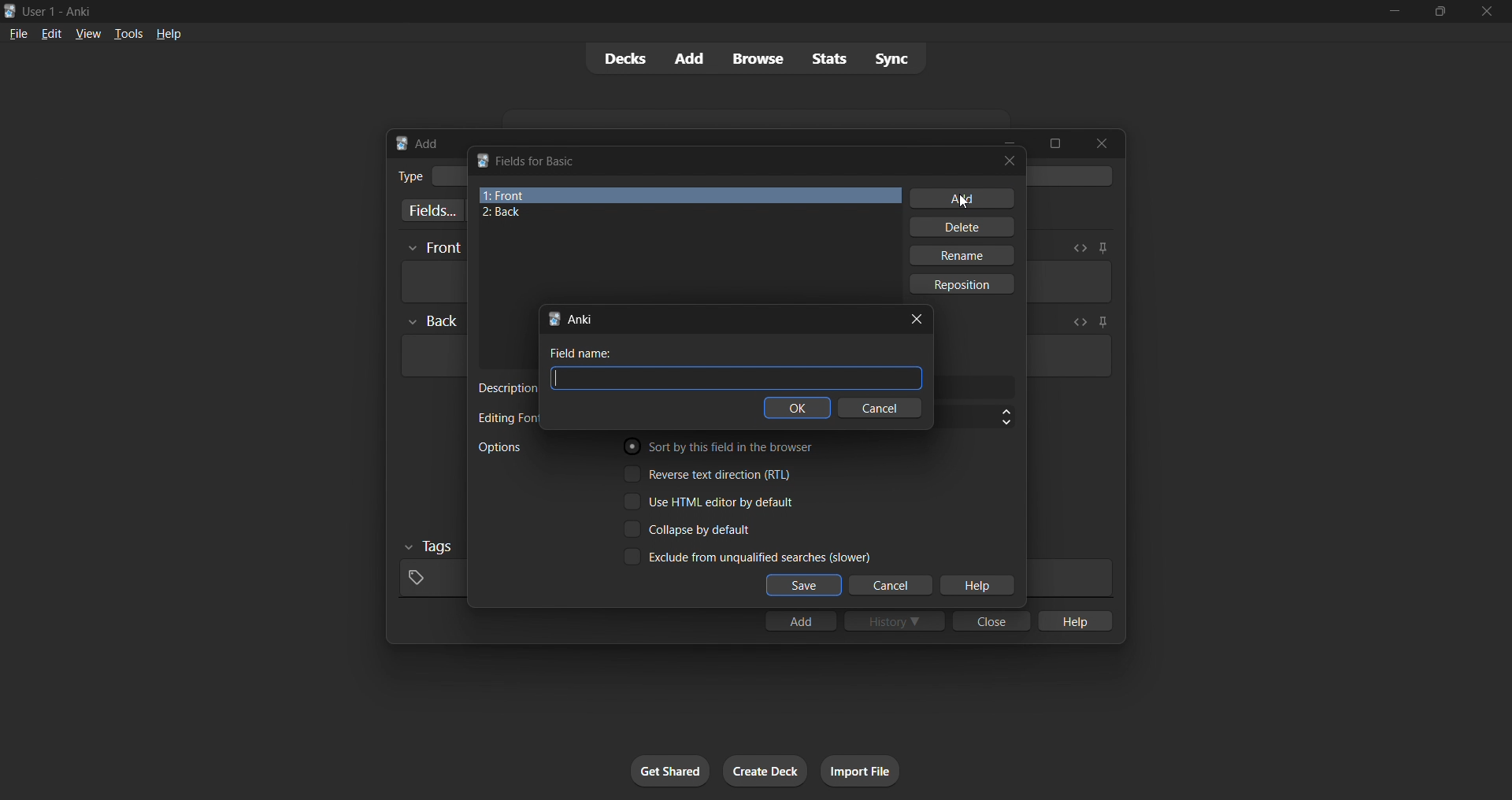 The image size is (1512, 800). Describe the element at coordinates (991, 620) in the screenshot. I see `close` at that location.